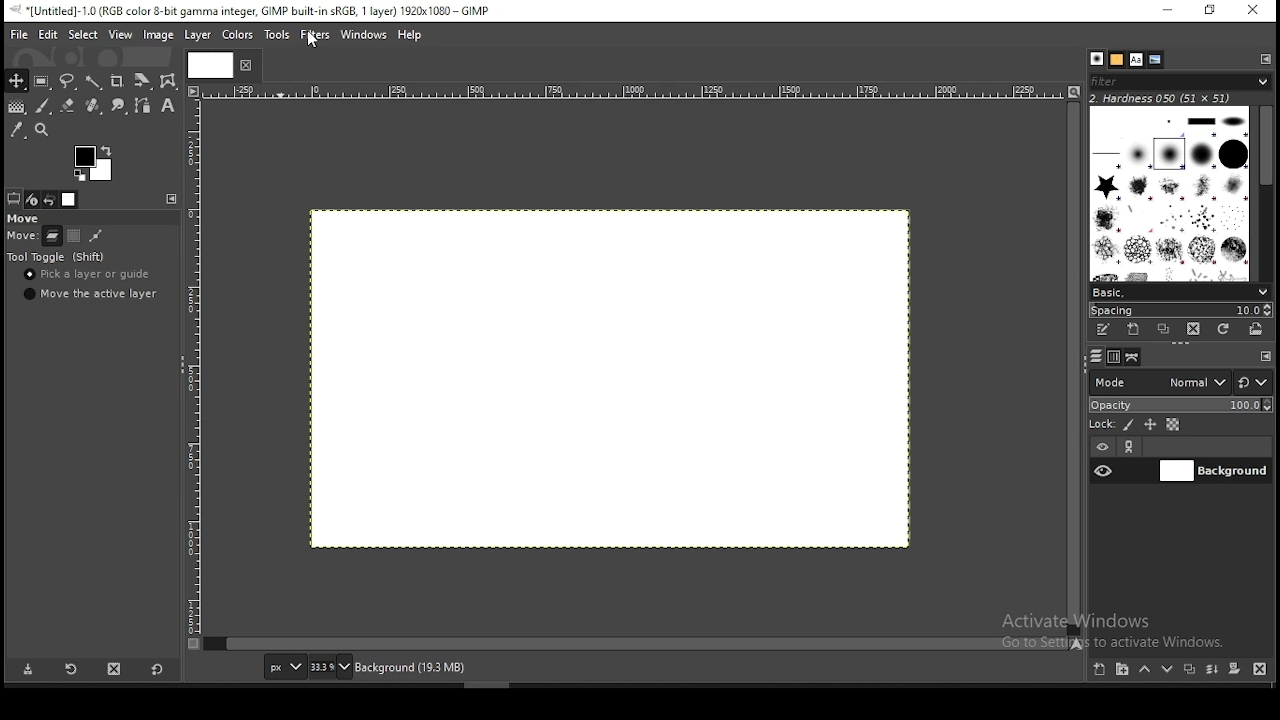 The image size is (1280, 720). What do you see at coordinates (1211, 671) in the screenshot?
I see `merge layer` at bounding box center [1211, 671].